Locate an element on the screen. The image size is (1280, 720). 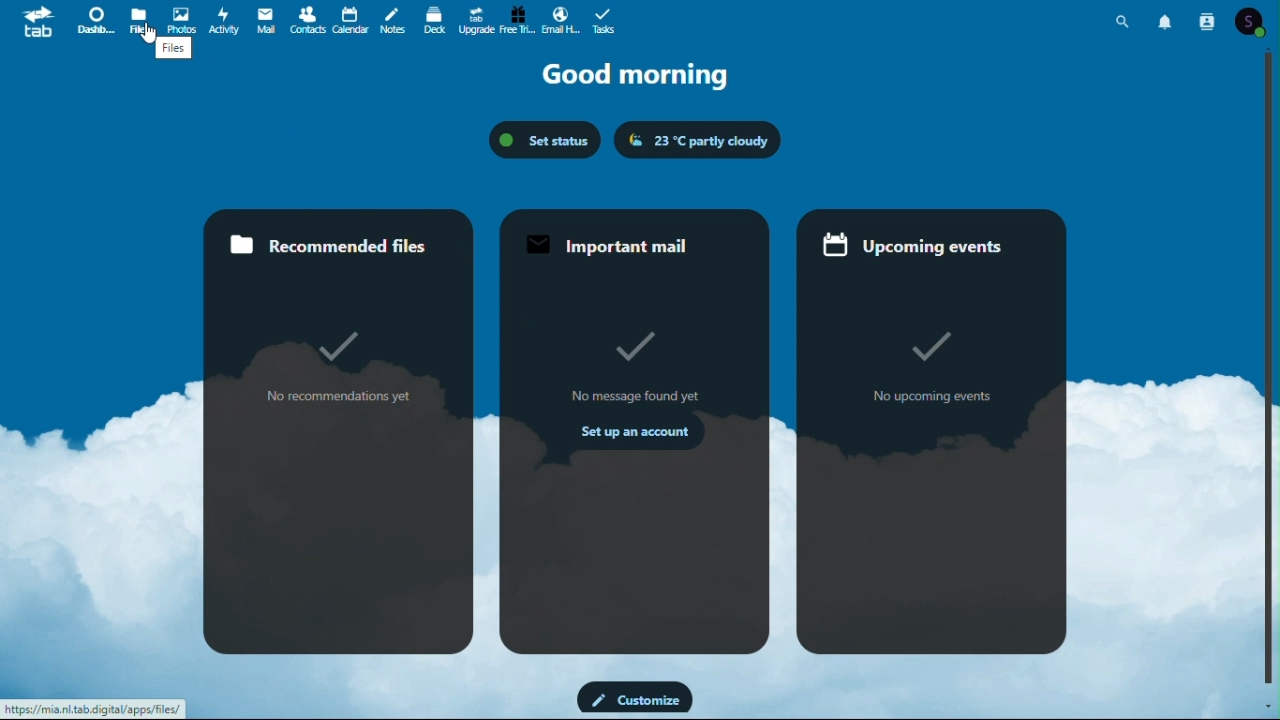
Task  is located at coordinates (608, 19).